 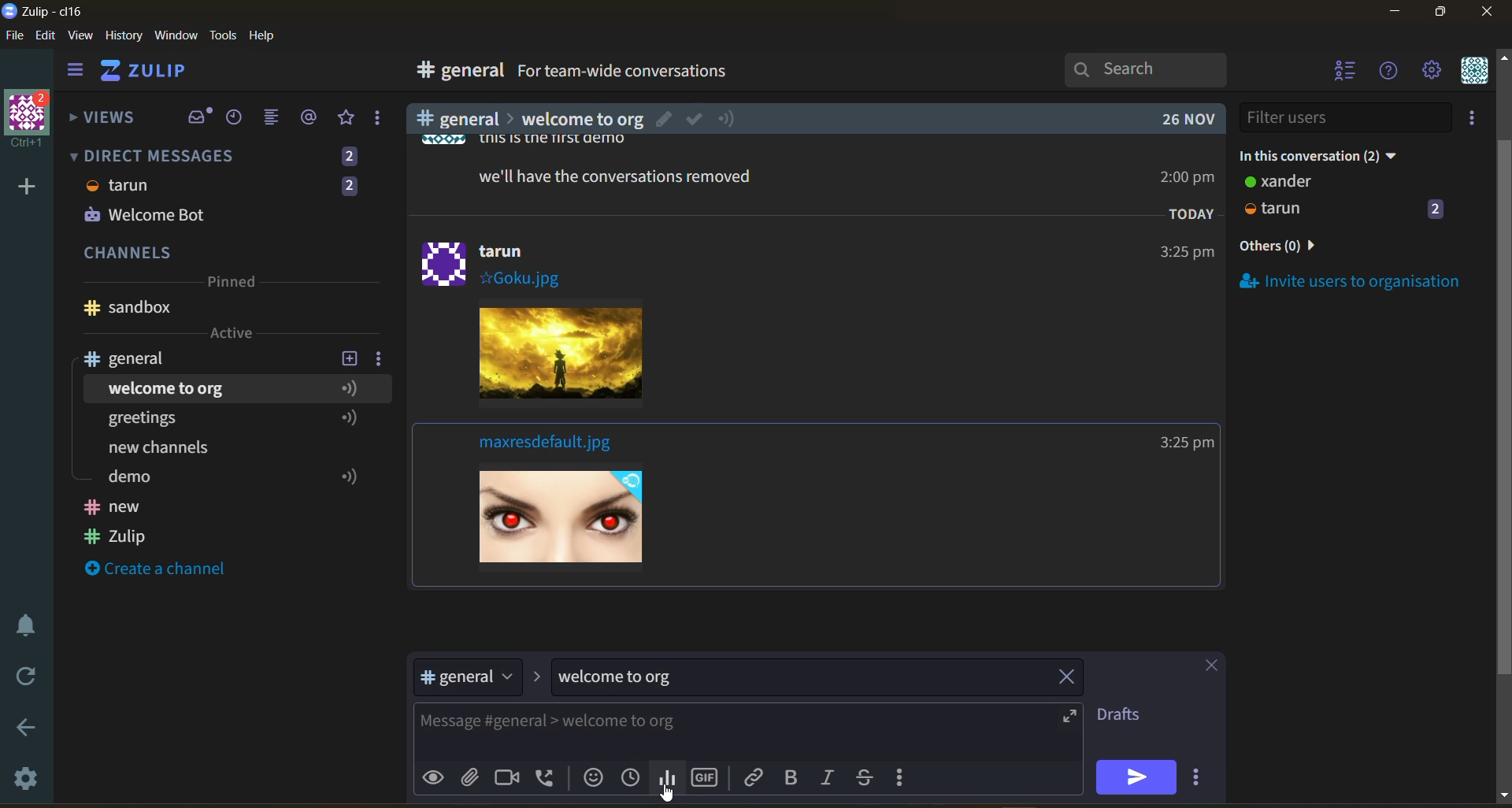 I want to click on , so click(x=224, y=202).